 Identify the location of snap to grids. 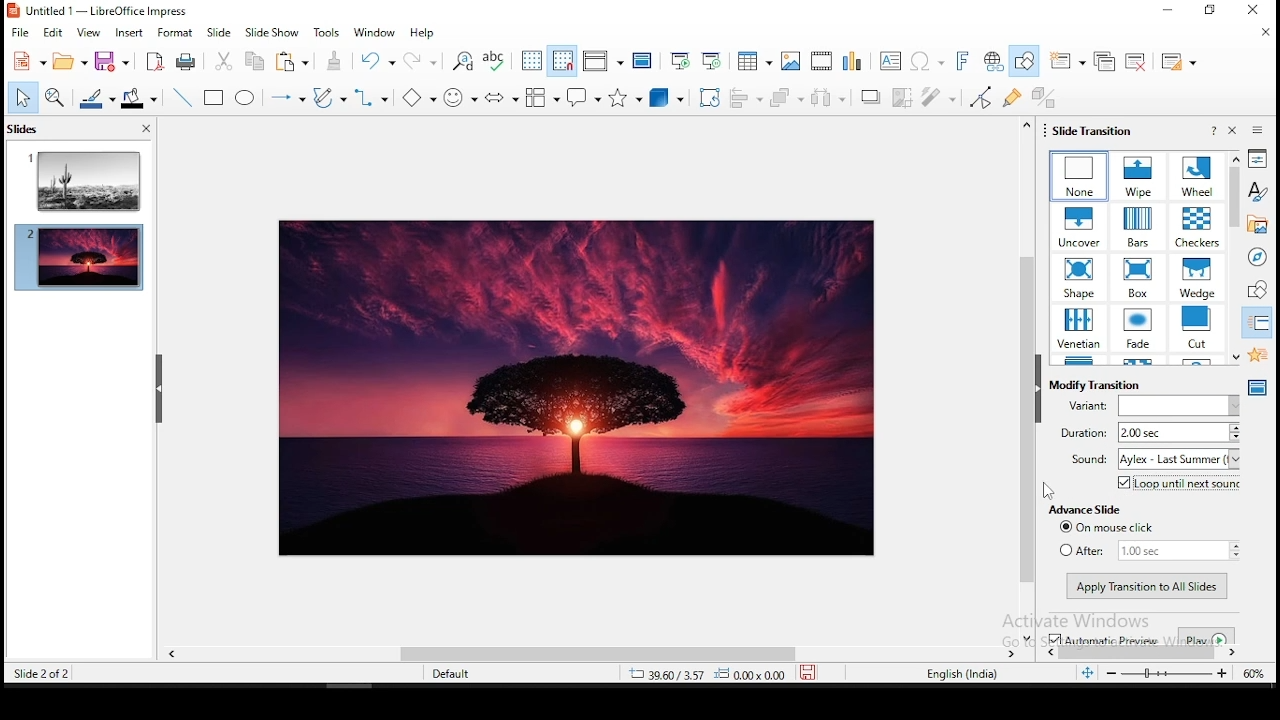
(563, 62).